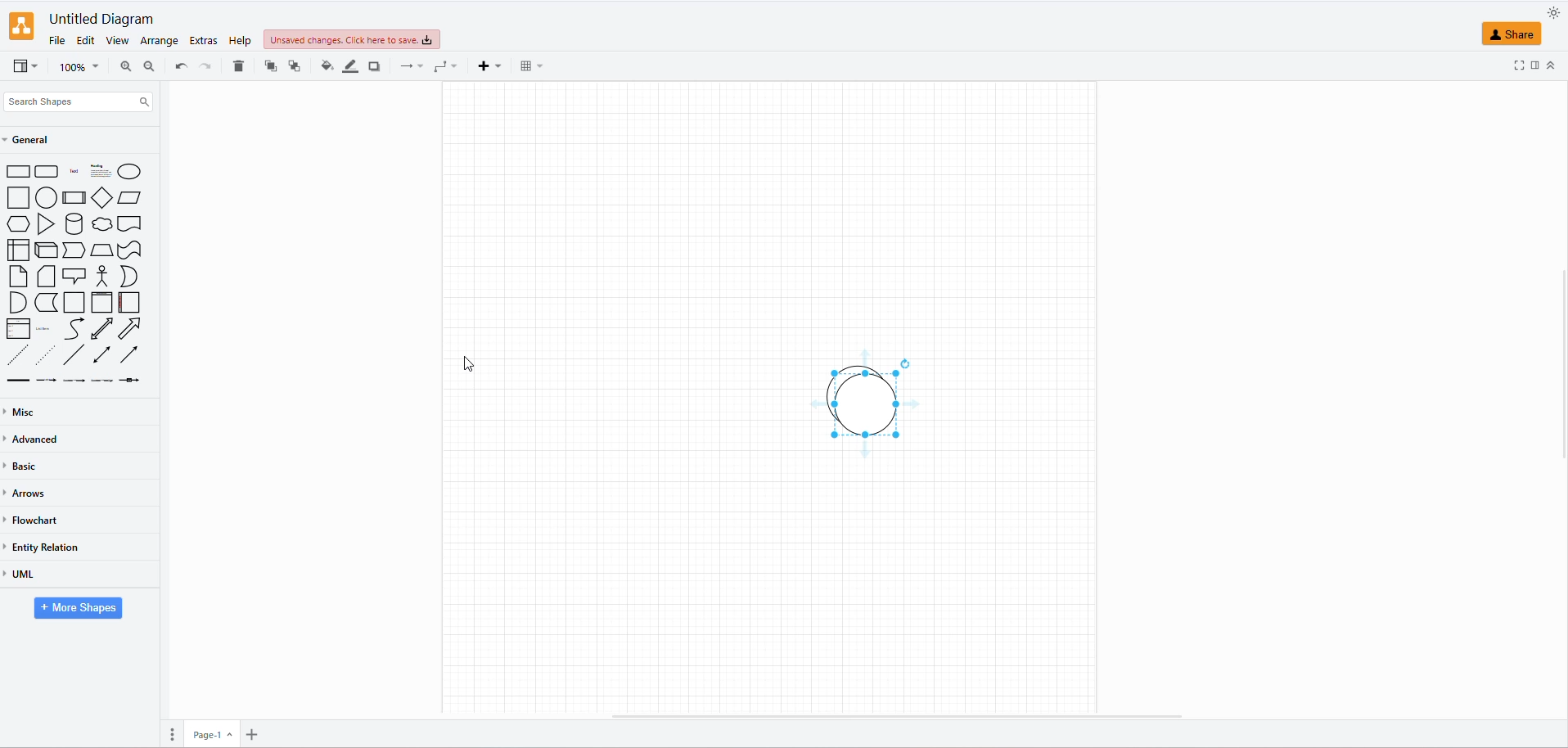 The image size is (1568, 748). What do you see at coordinates (902, 716) in the screenshot?
I see `scroll bar` at bounding box center [902, 716].